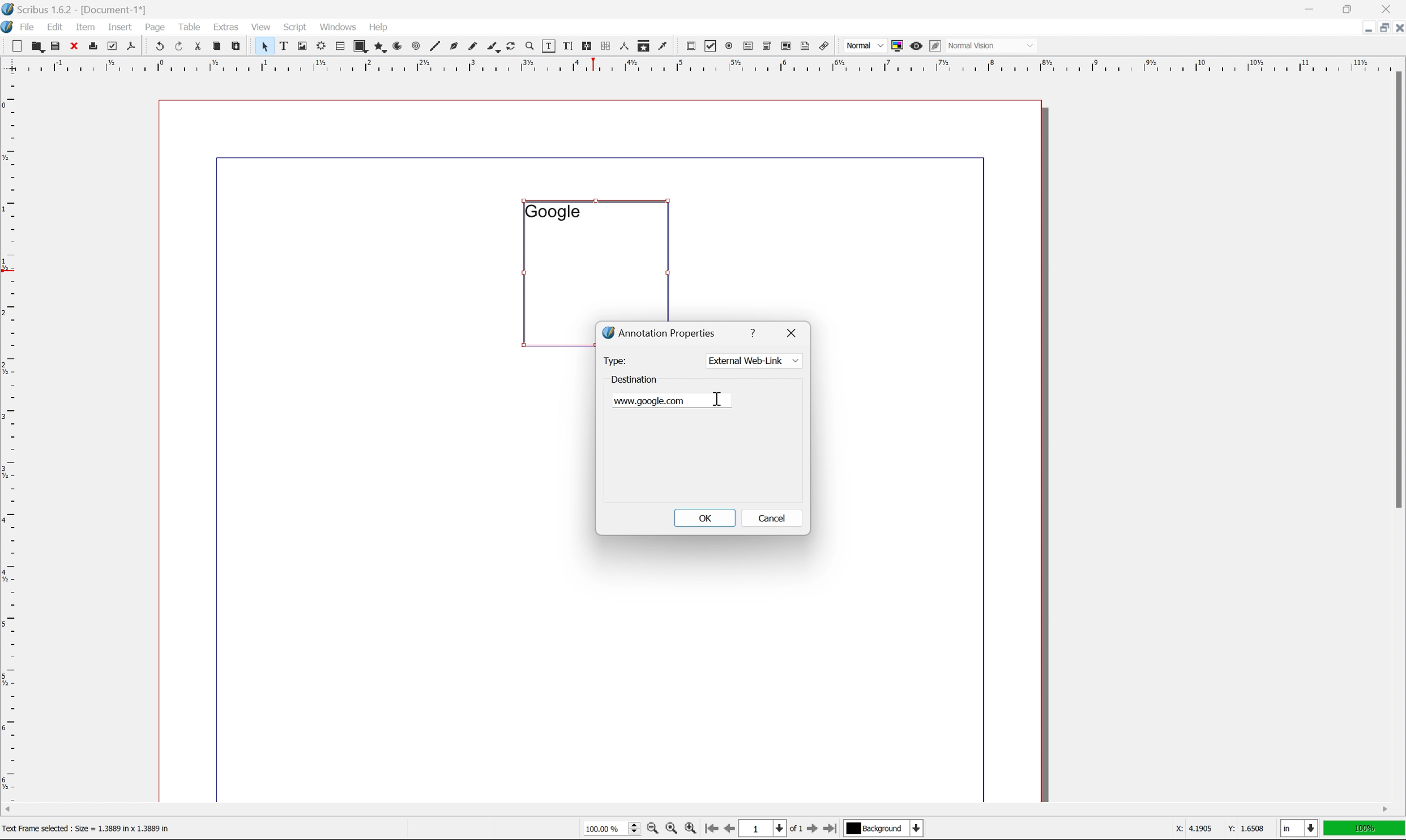 The image size is (1406, 840). I want to click on extras, so click(228, 27).